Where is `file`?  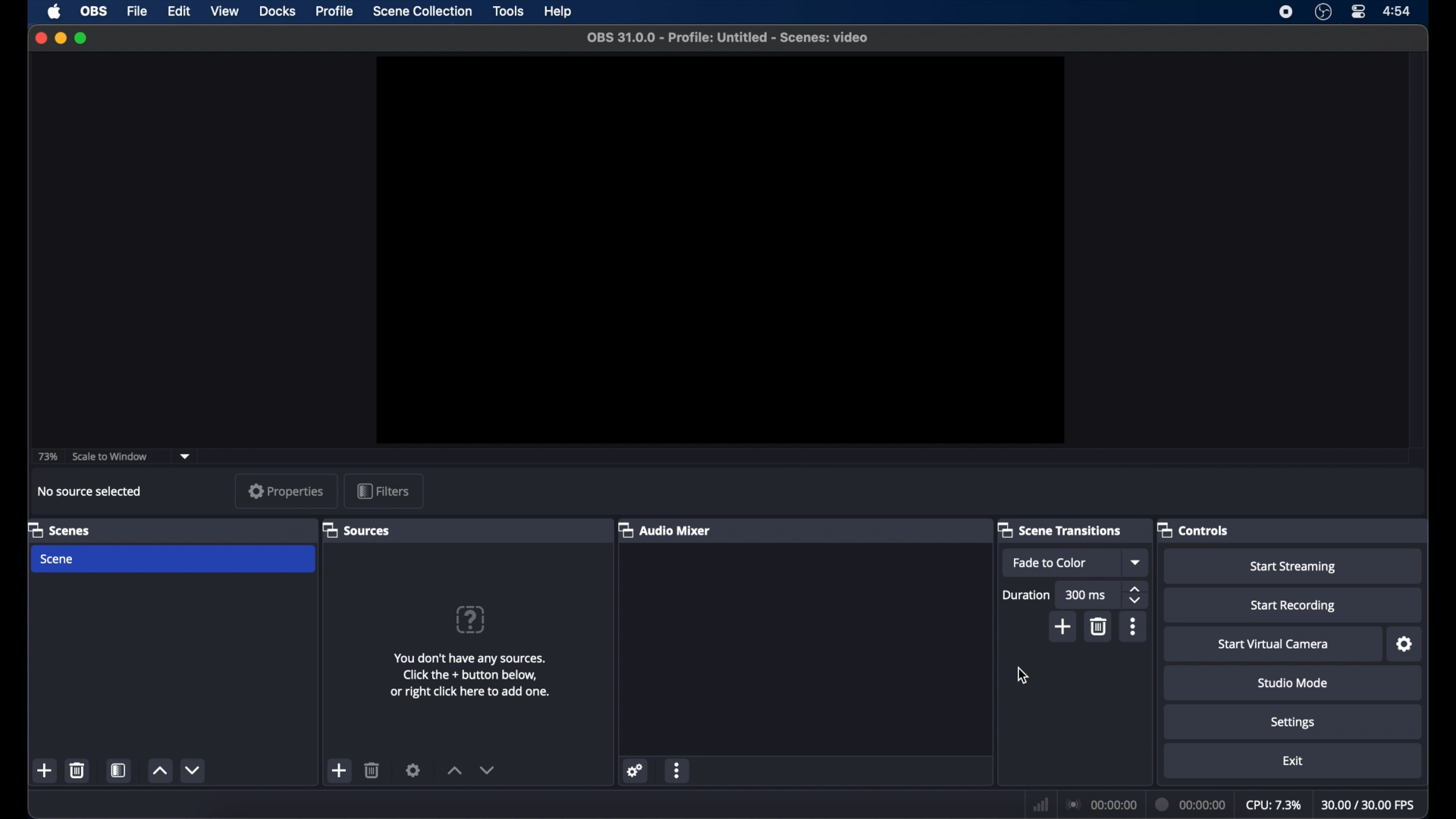 file is located at coordinates (140, 11).